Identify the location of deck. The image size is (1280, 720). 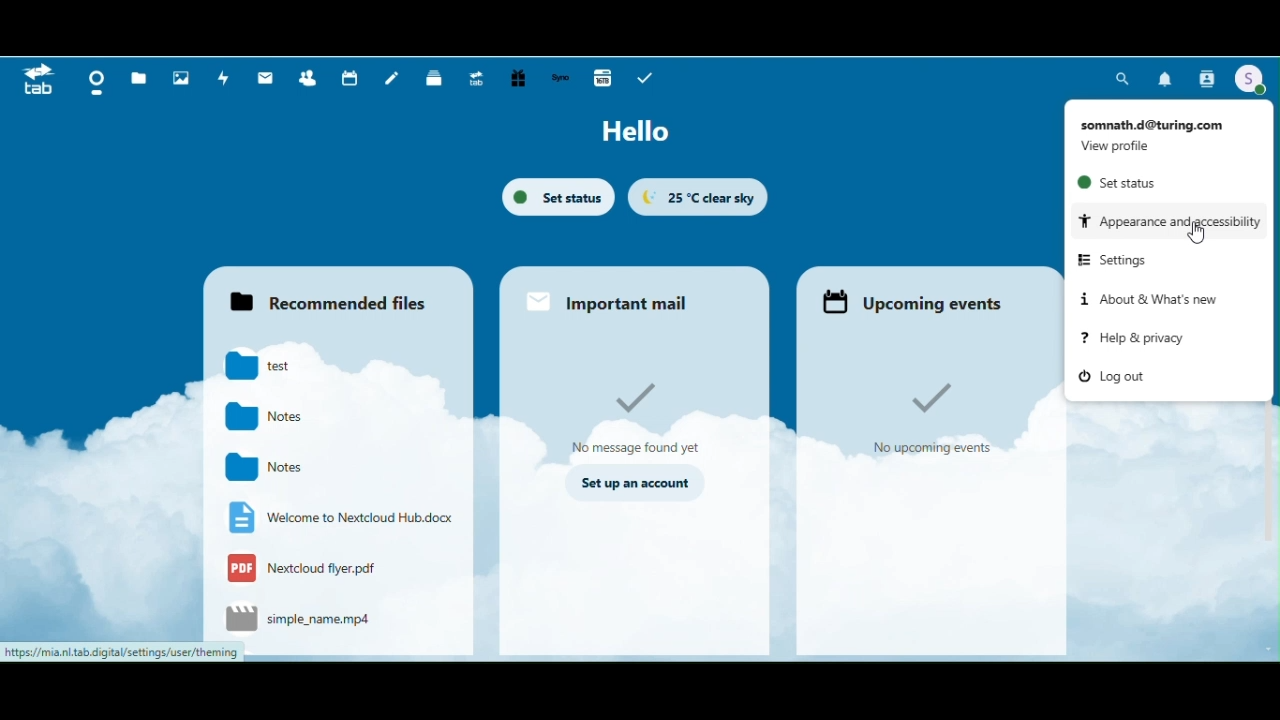
(434, 79).